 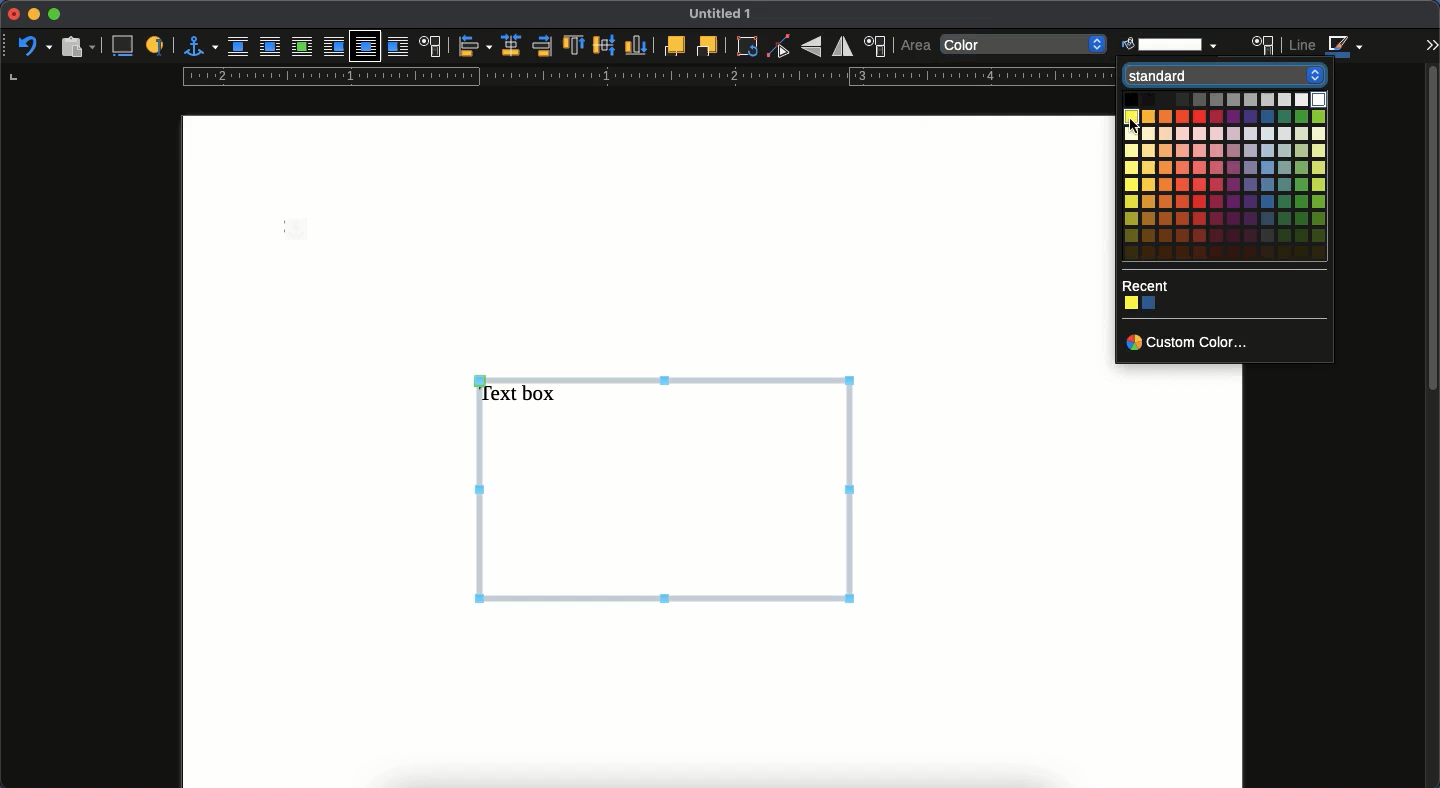 I want to click on top, so click(x=574, y=47).